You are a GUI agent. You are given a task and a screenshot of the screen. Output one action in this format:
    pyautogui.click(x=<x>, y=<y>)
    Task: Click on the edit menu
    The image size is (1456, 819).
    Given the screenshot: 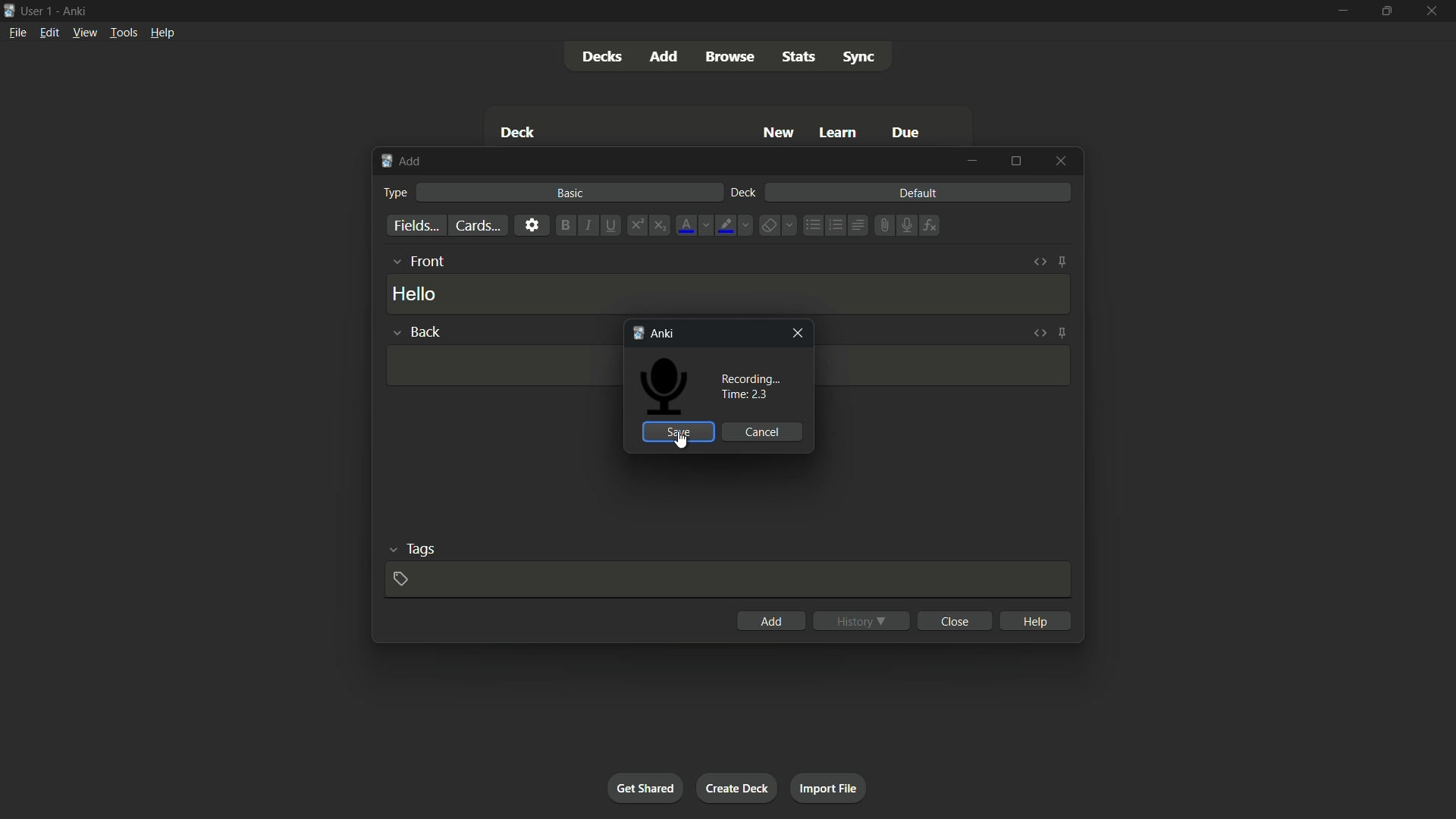 What is the action you would take?
    pyautogui.click(x=49, y=33)
    